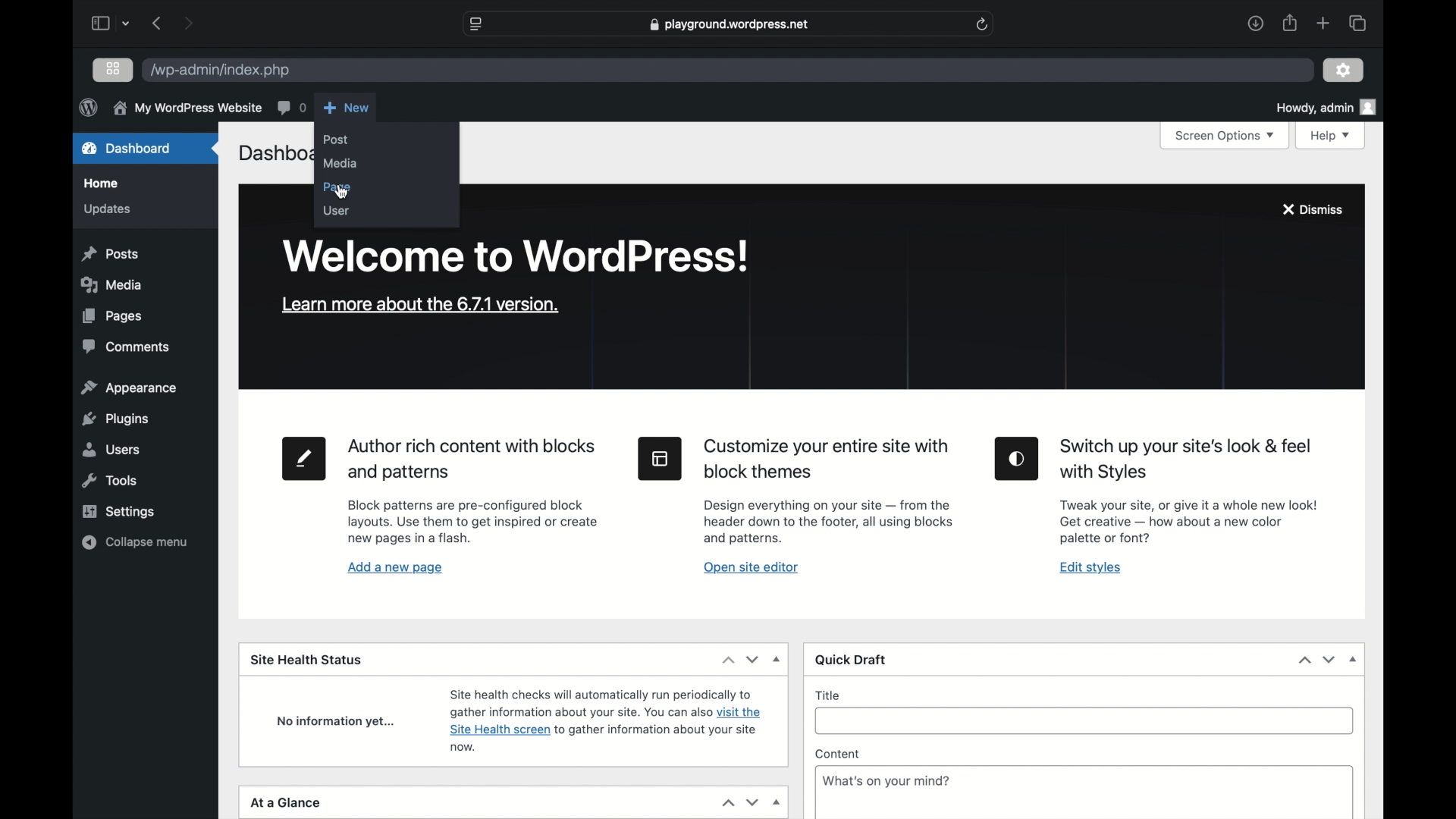 This screenshot has width=1456, height=819. Describe the element at coordinates (1291, 24) in the screenshot. I see `share` at that location.